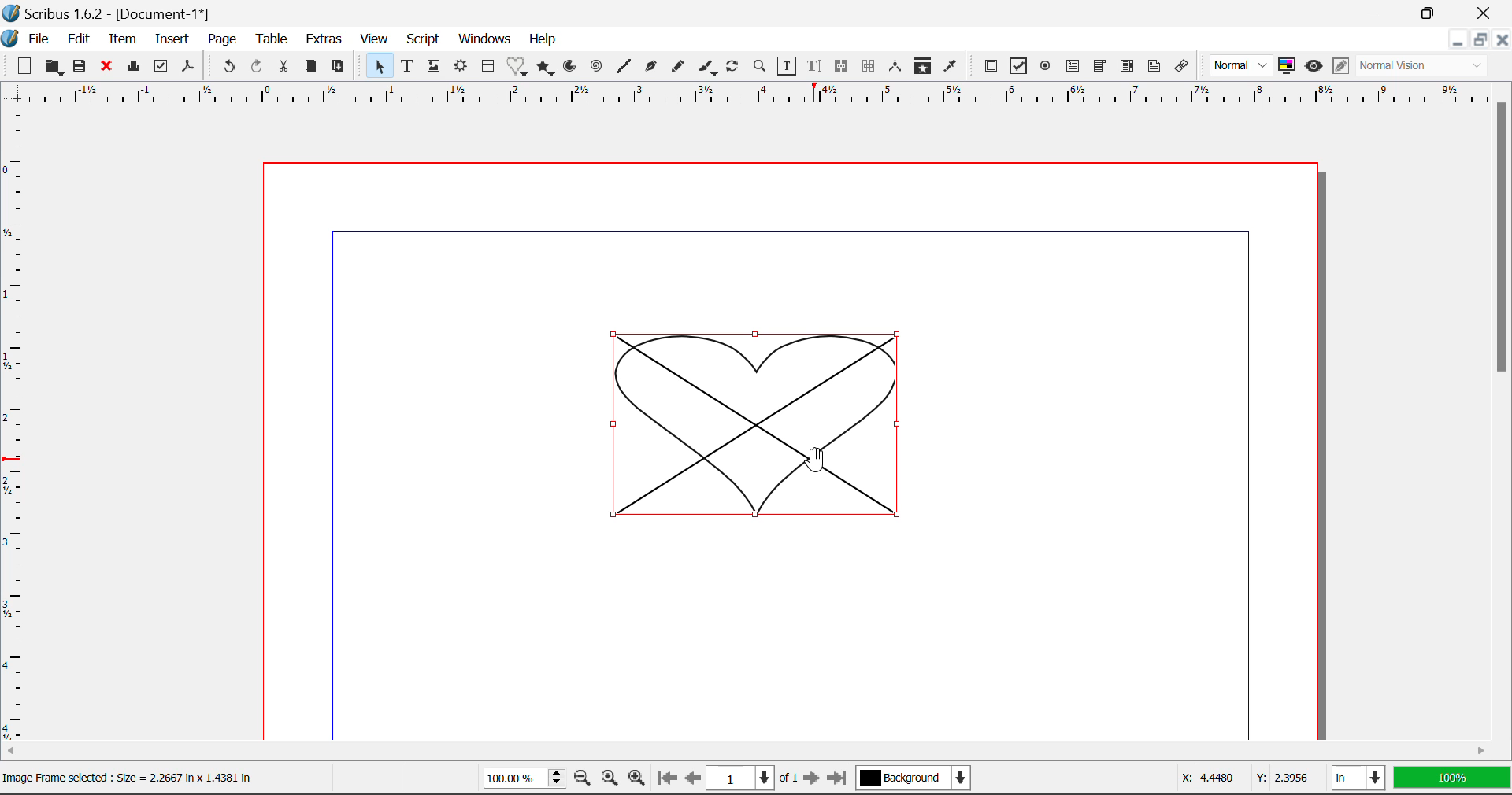 This screenshot has height=795, width=1512. What do you see at coordinates (1128, 68) in the screenshot?
I see `Pdf List box` at bounding box center [1128, 68].